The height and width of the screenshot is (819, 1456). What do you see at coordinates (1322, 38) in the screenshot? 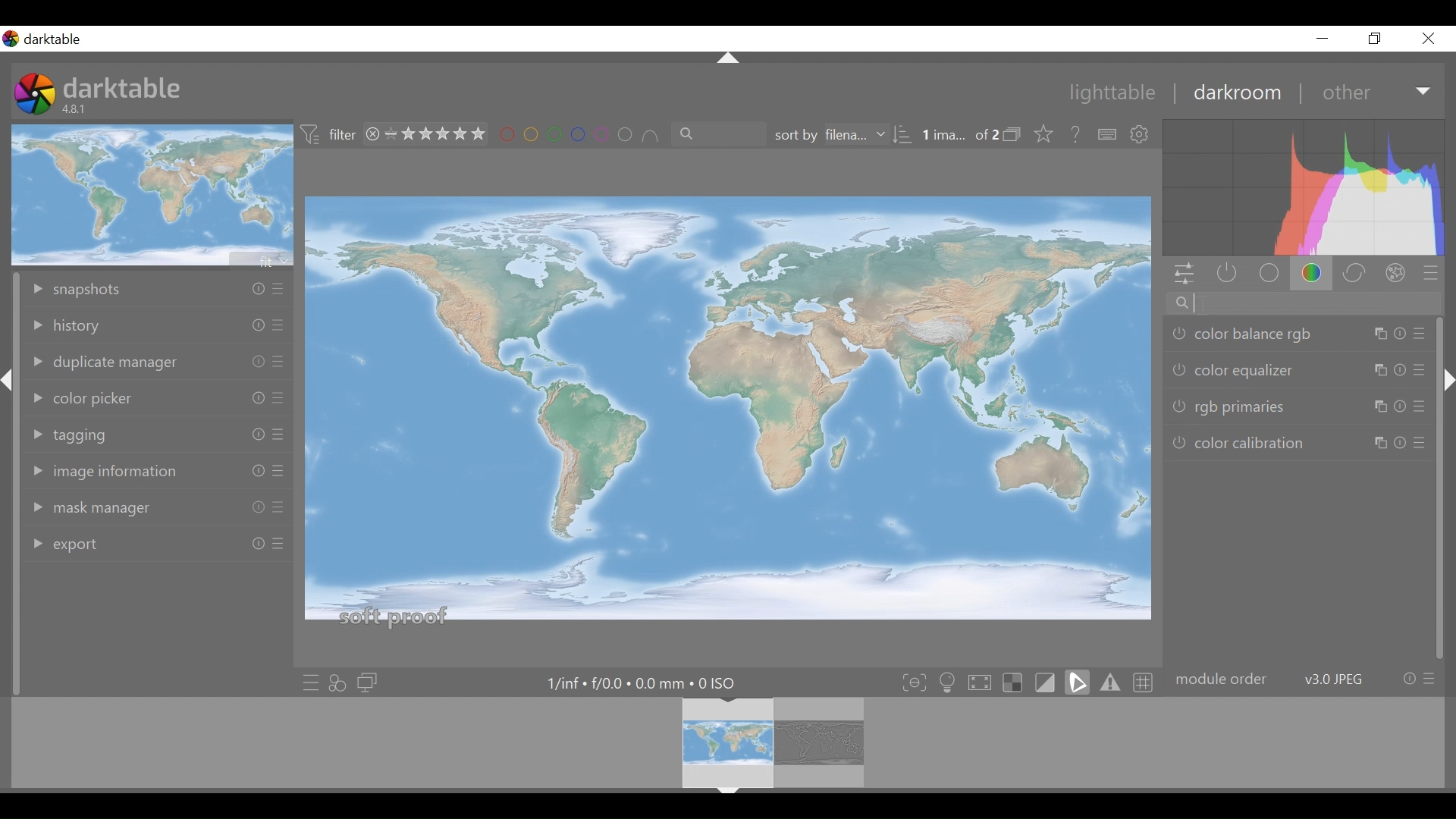
I see `minimize` at bounding box center [1322, 38].